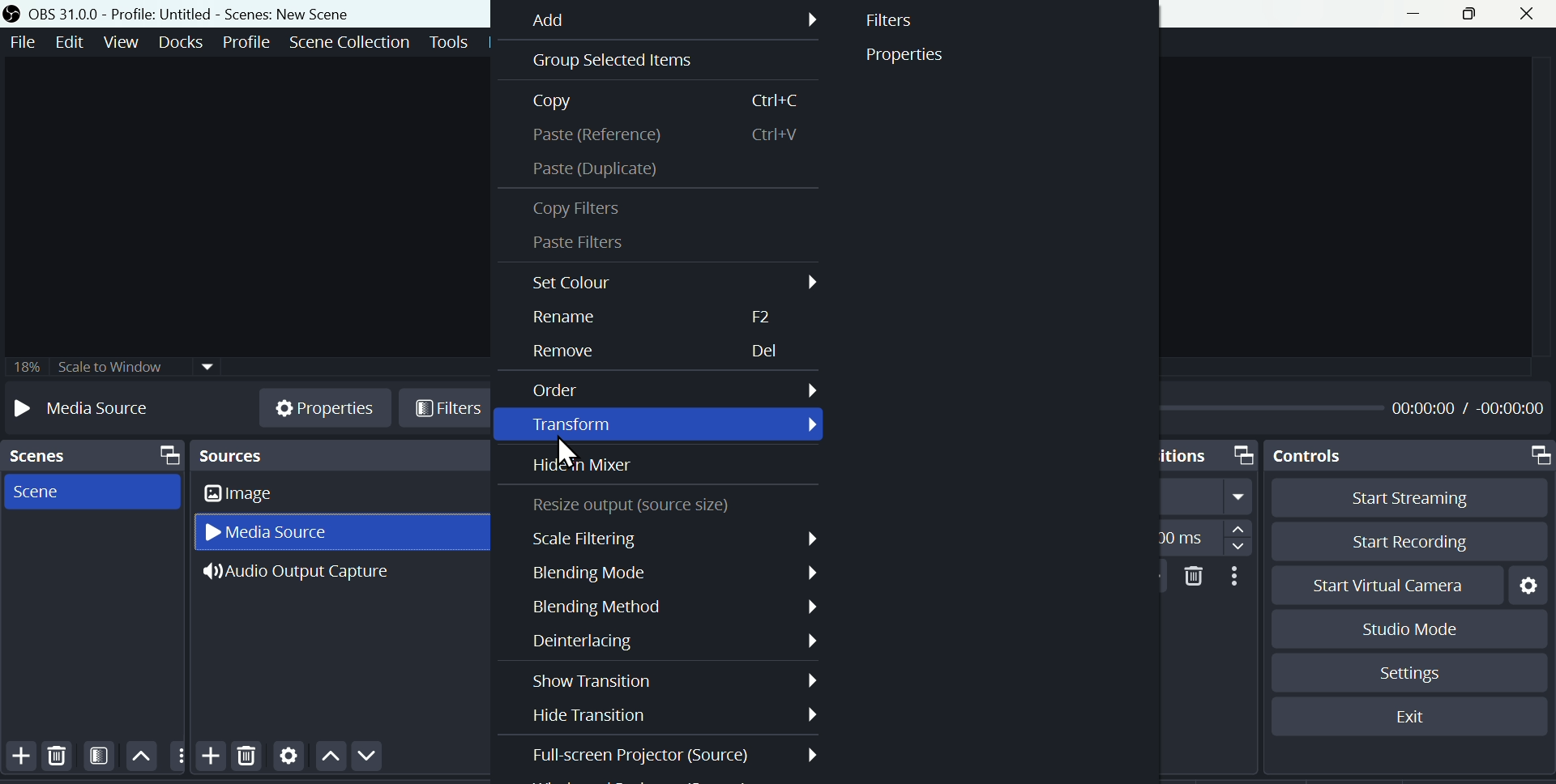  What do you see at coordinates (913, 57) in the screenshot?
I see `Properties` at bounding box center [913, 57].